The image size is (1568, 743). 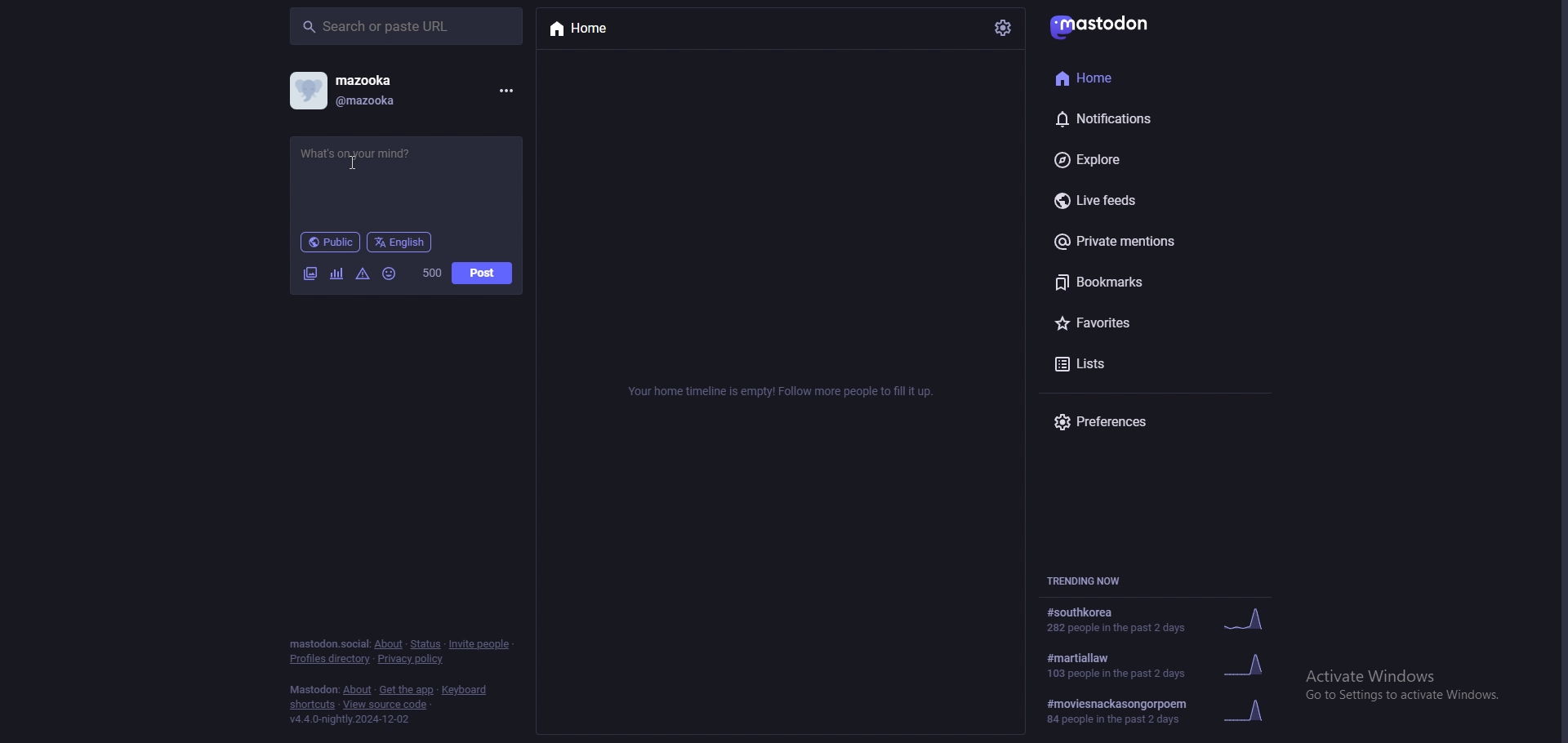 What do you see at coordinates (1139, 362) in the screenshot?
I see `lists` at bounding box center [1139, 362].